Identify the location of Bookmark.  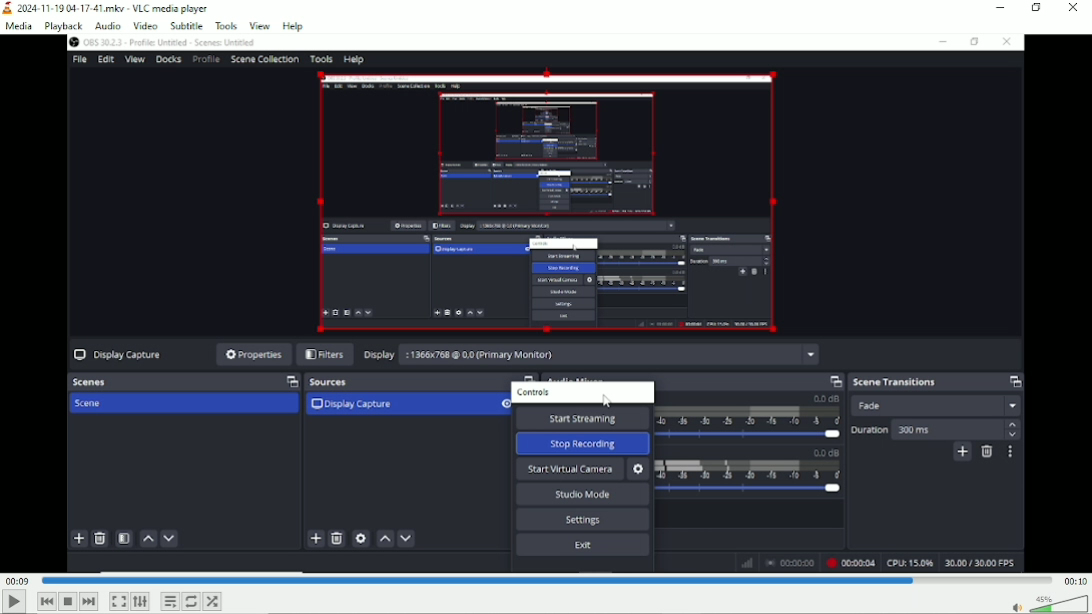
(544, 304).